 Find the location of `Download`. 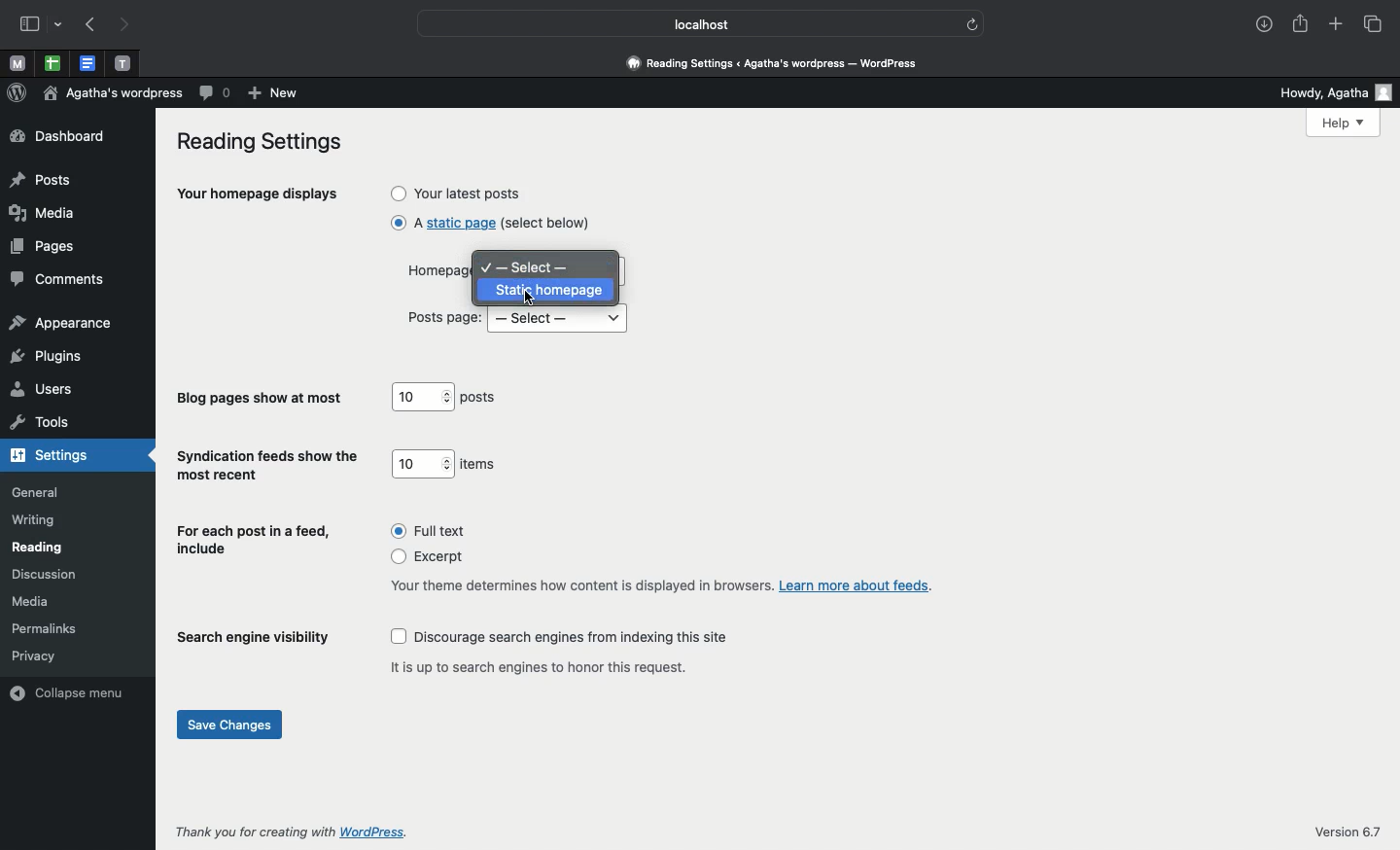

Download is located at coordinates (1259, 21).